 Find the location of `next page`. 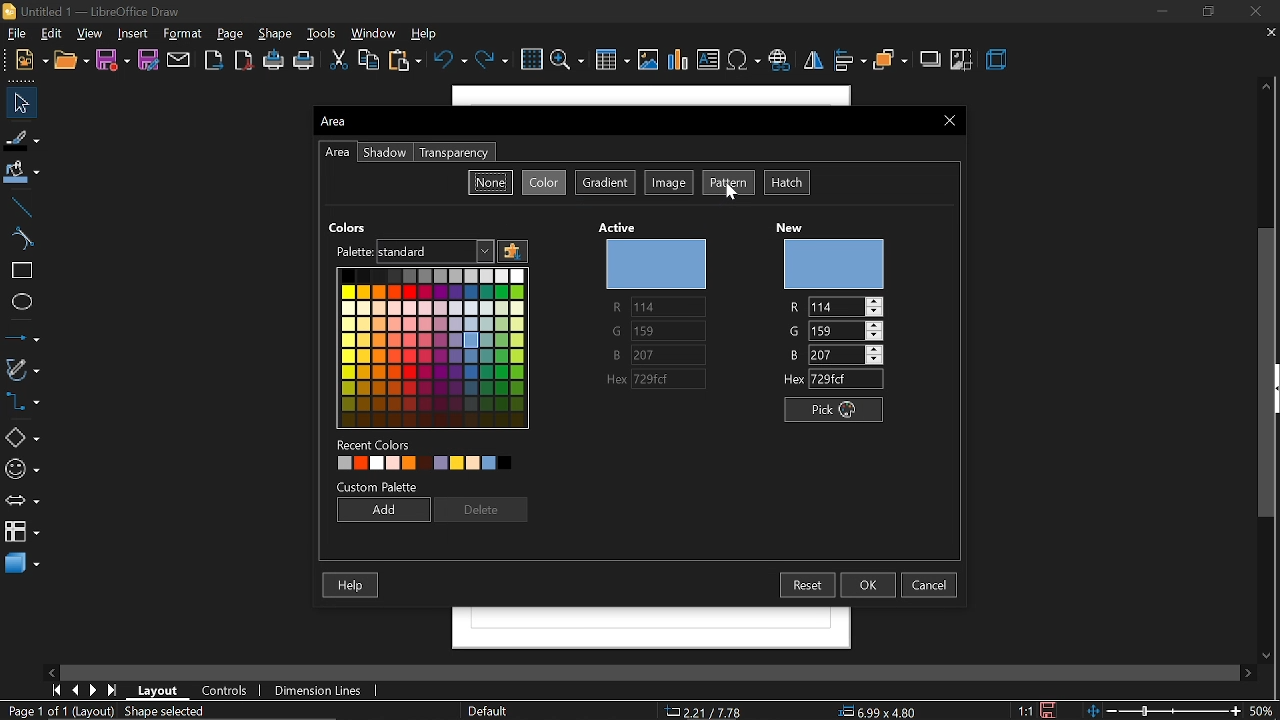

next page is located at coordinates (94, 689).